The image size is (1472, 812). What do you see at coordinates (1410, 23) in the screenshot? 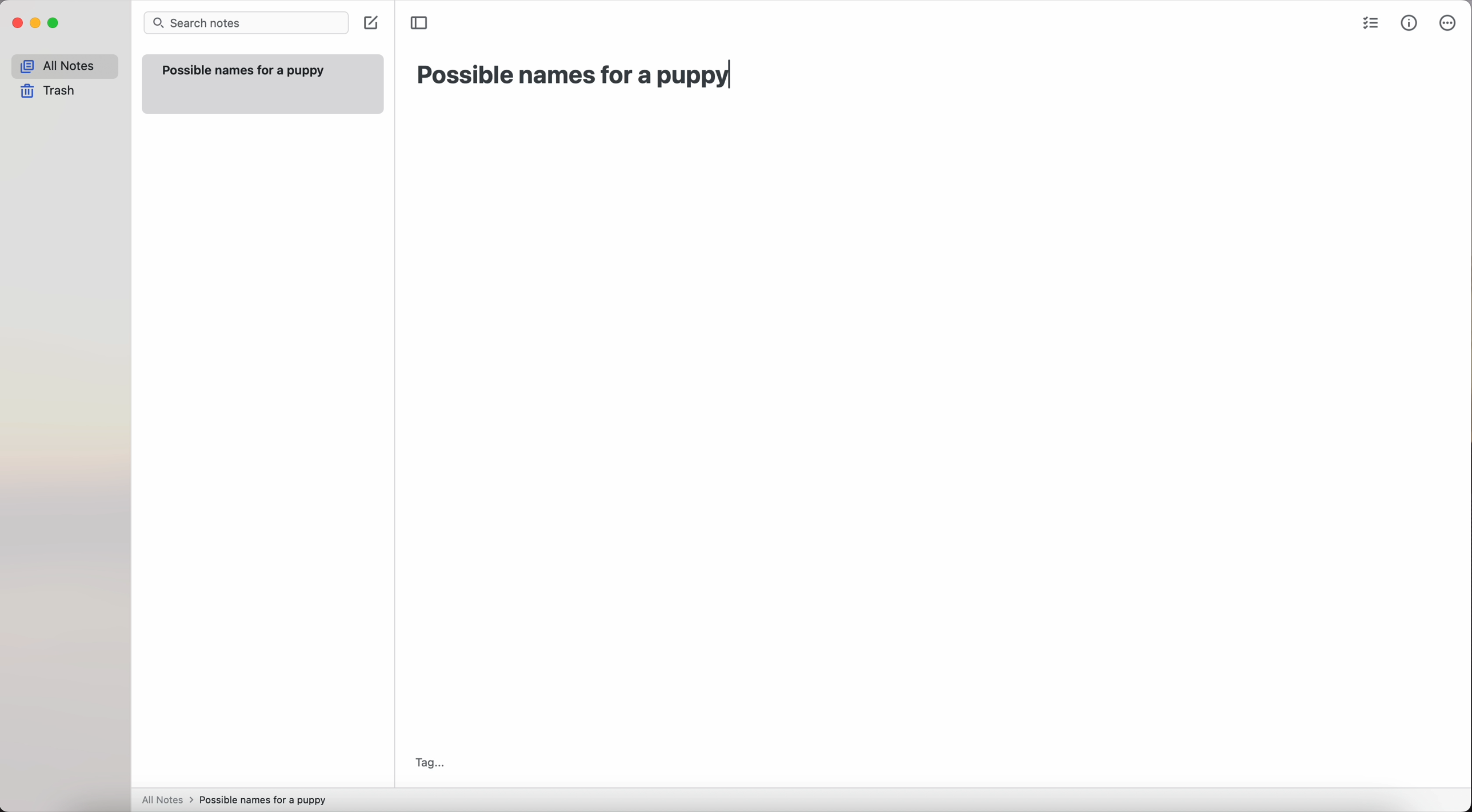
I see `metrics` at bounding box center [1410, 23].